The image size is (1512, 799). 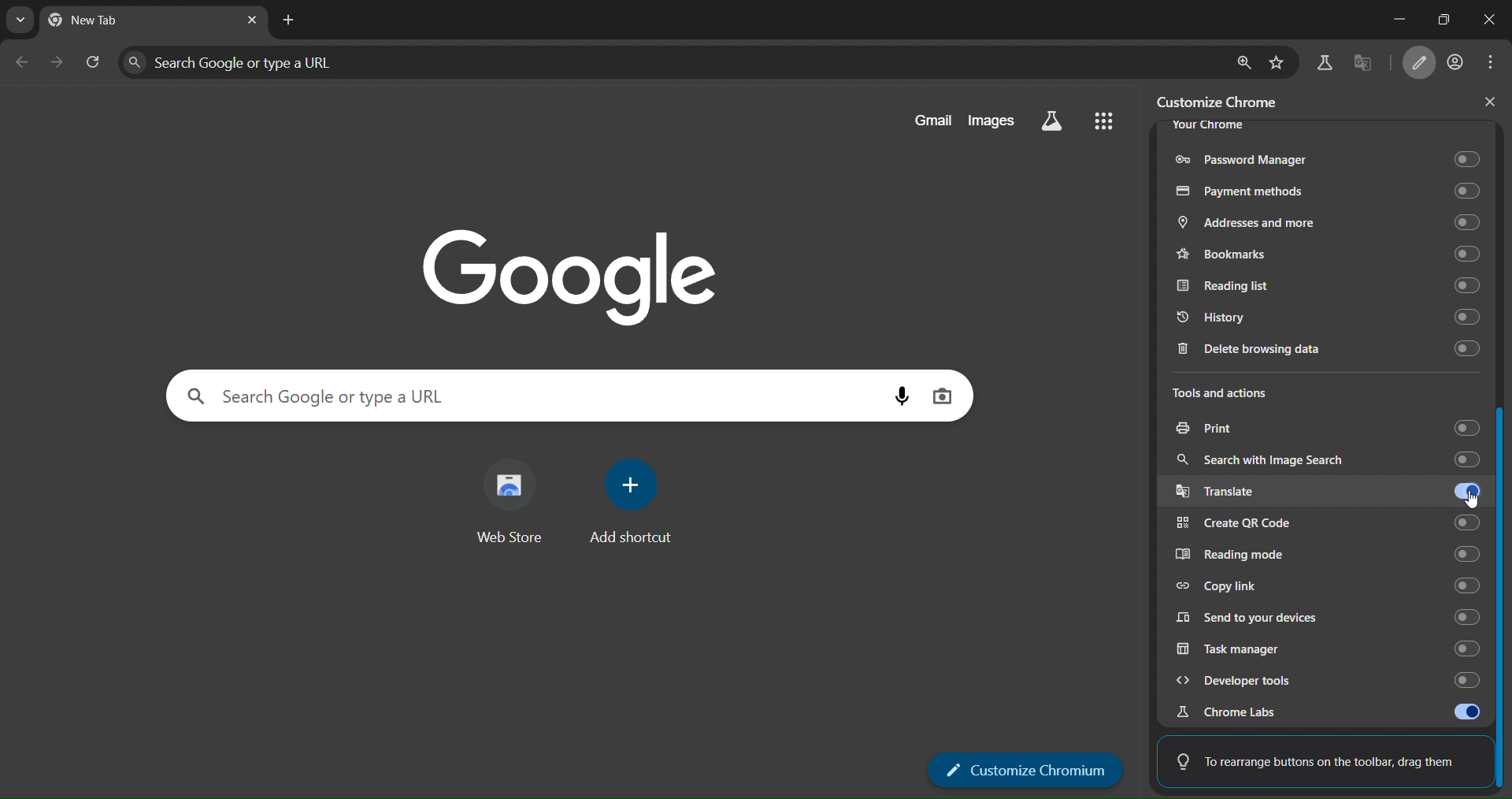 I want to click on close tab, so click(x=251, y=20).